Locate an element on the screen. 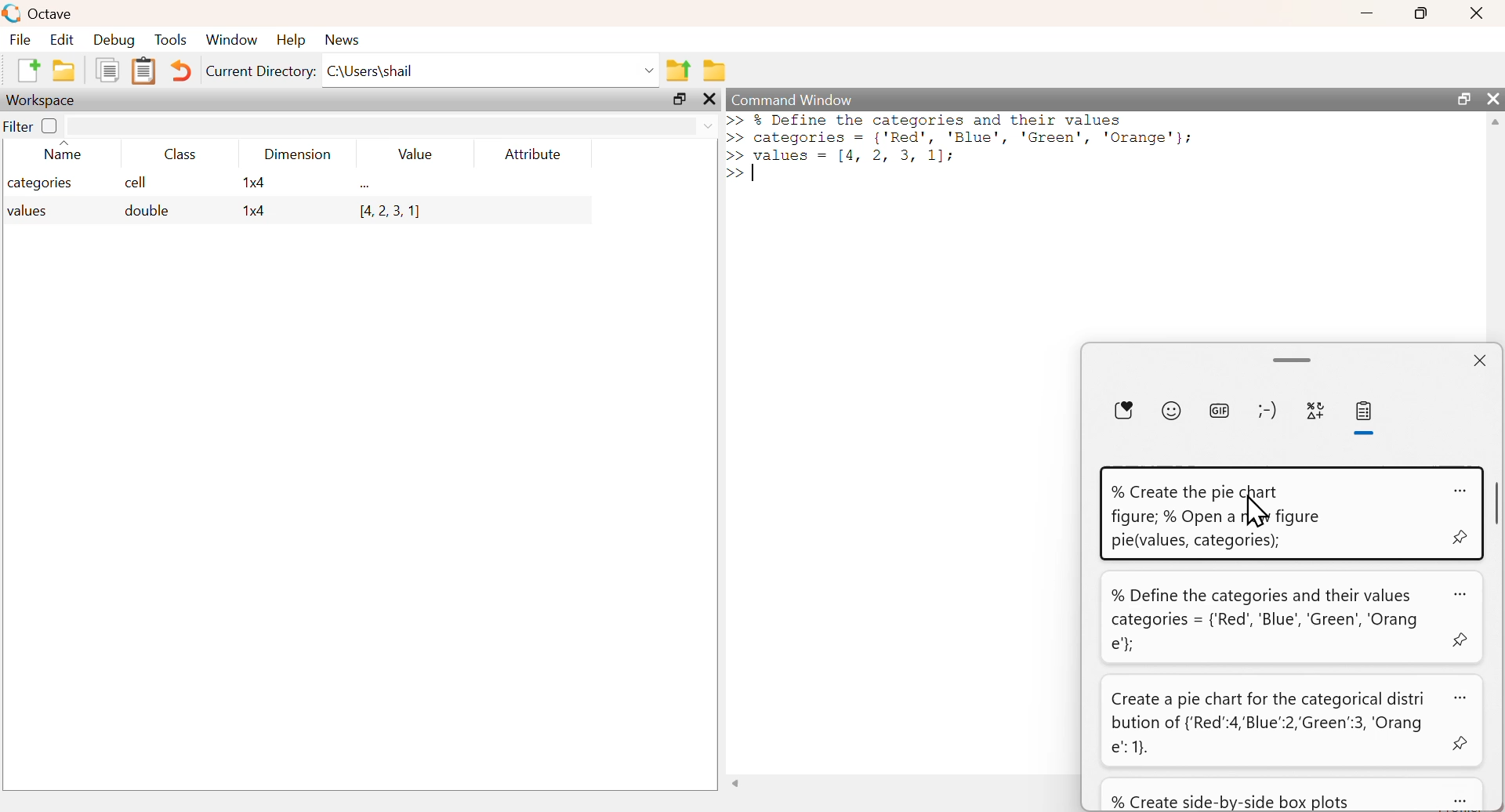 This screenshot has width=1505, height=812. Folder is located at coordinates (713, 71).